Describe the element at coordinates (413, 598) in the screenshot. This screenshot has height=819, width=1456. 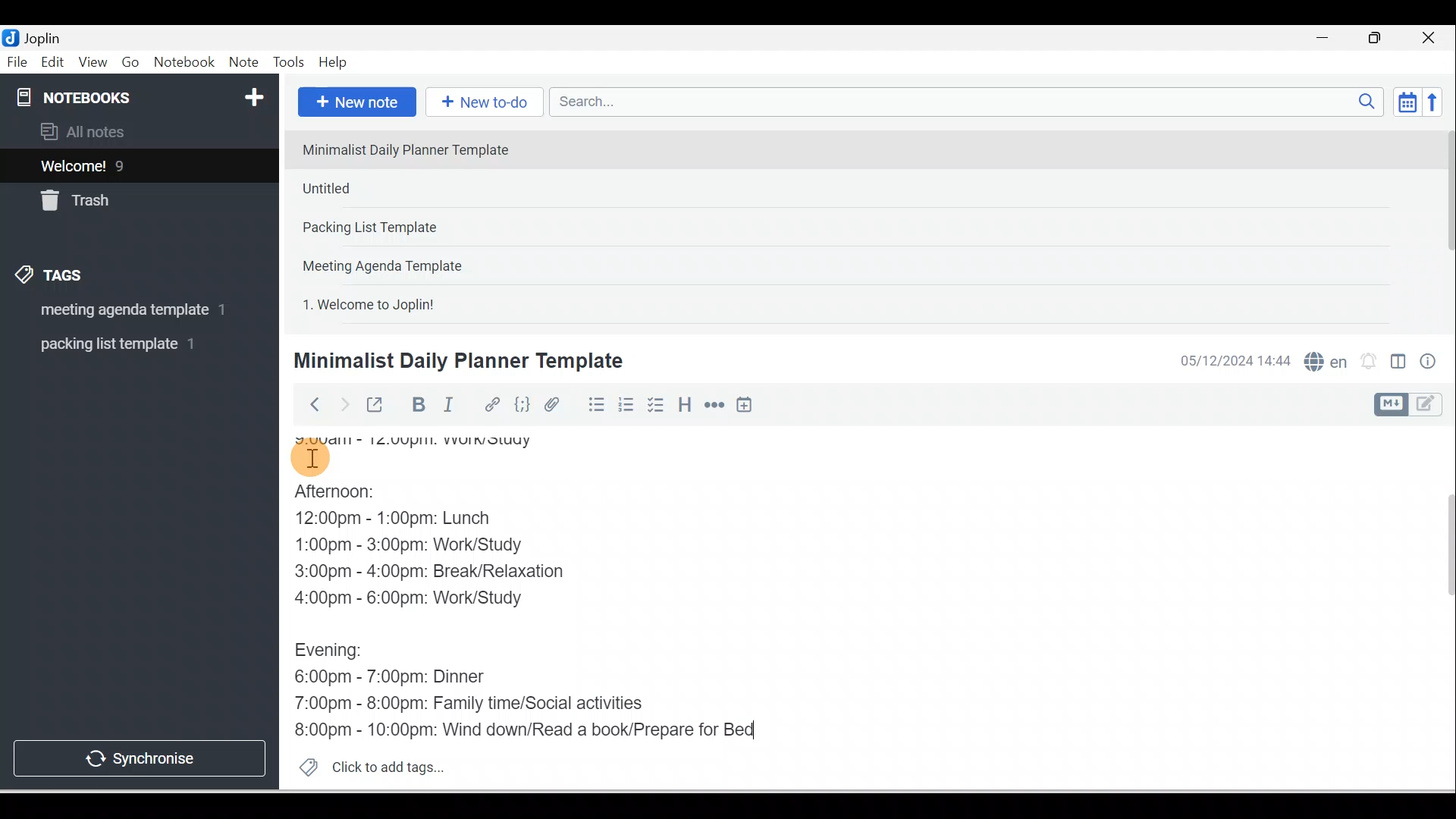
I see `4:00pm - 6:00pm: Work/Study` at that location.